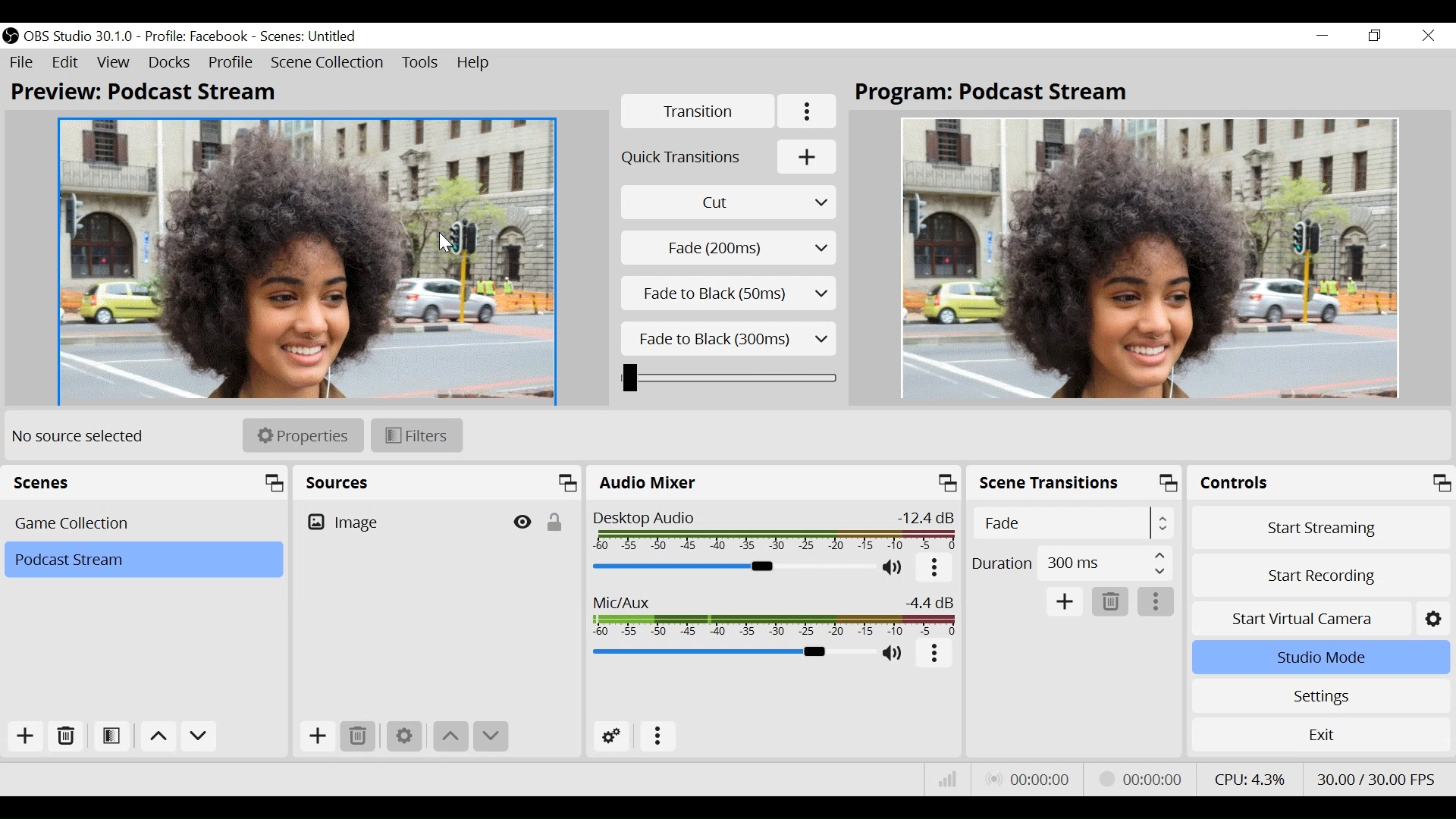 This screenshot has height=819, width=1456. I want to click on Sources, so click(436, 482).